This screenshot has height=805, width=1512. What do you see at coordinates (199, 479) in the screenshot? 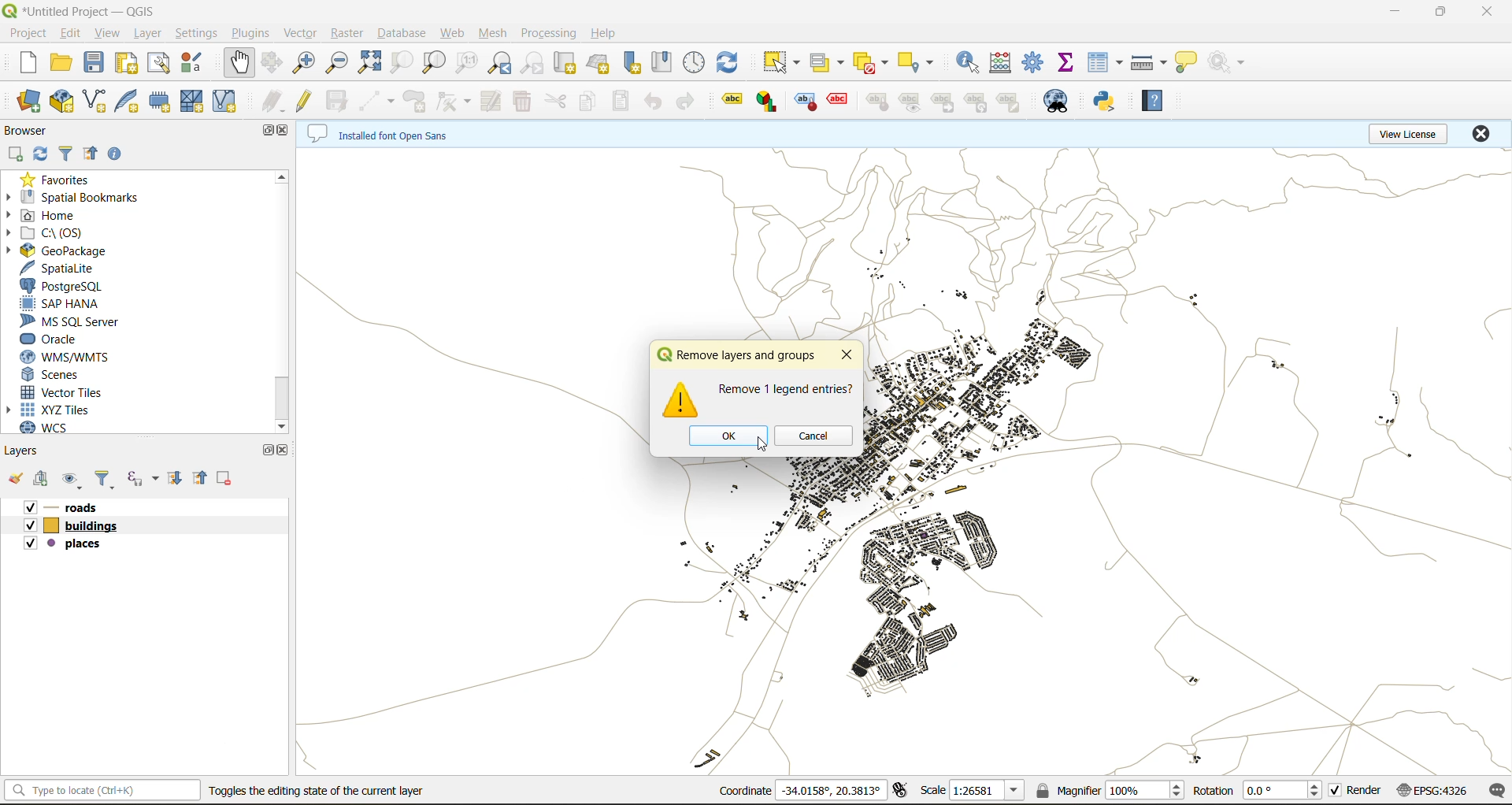
I see `collapse all` at bounding box center [199, 479].